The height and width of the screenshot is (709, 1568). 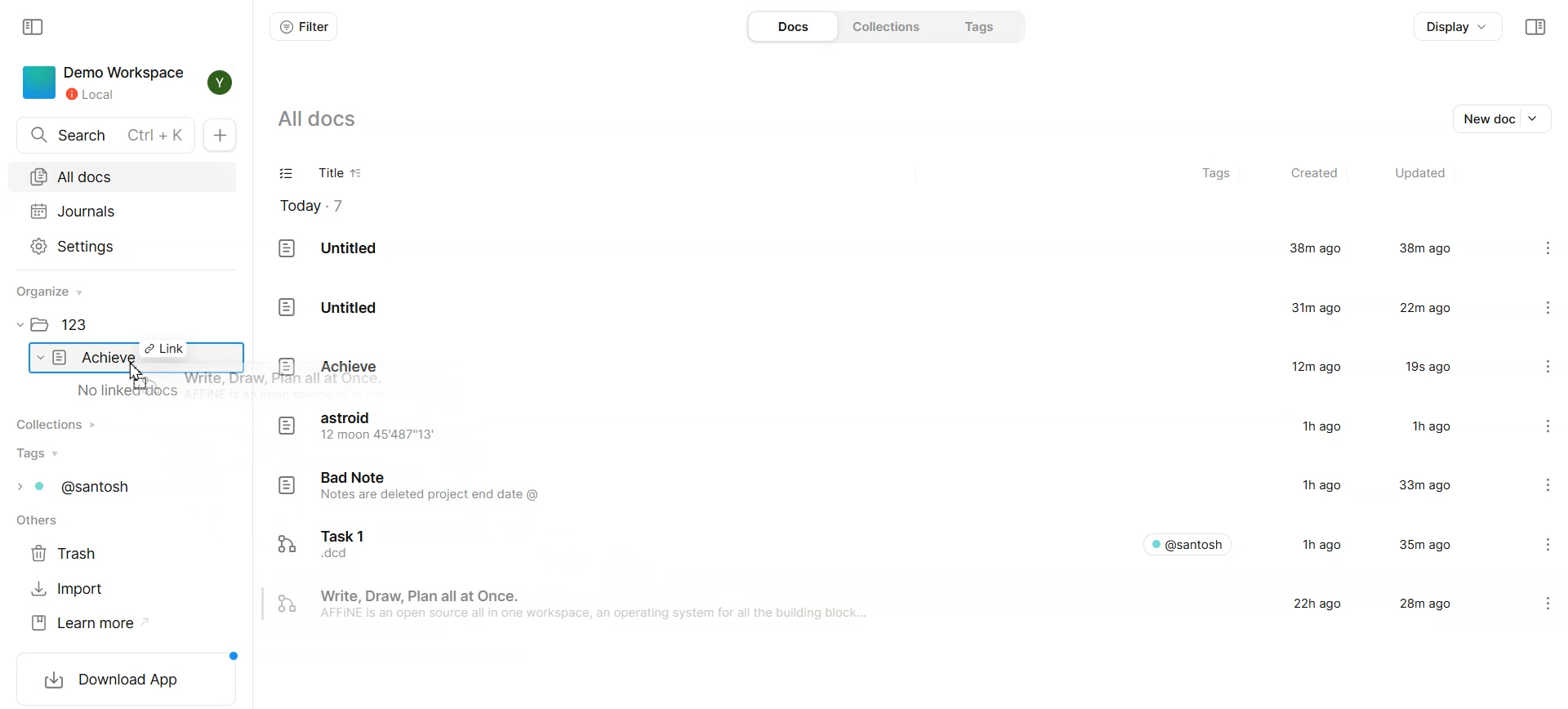 I want to click on Tags, so click(x=1218, y=175).